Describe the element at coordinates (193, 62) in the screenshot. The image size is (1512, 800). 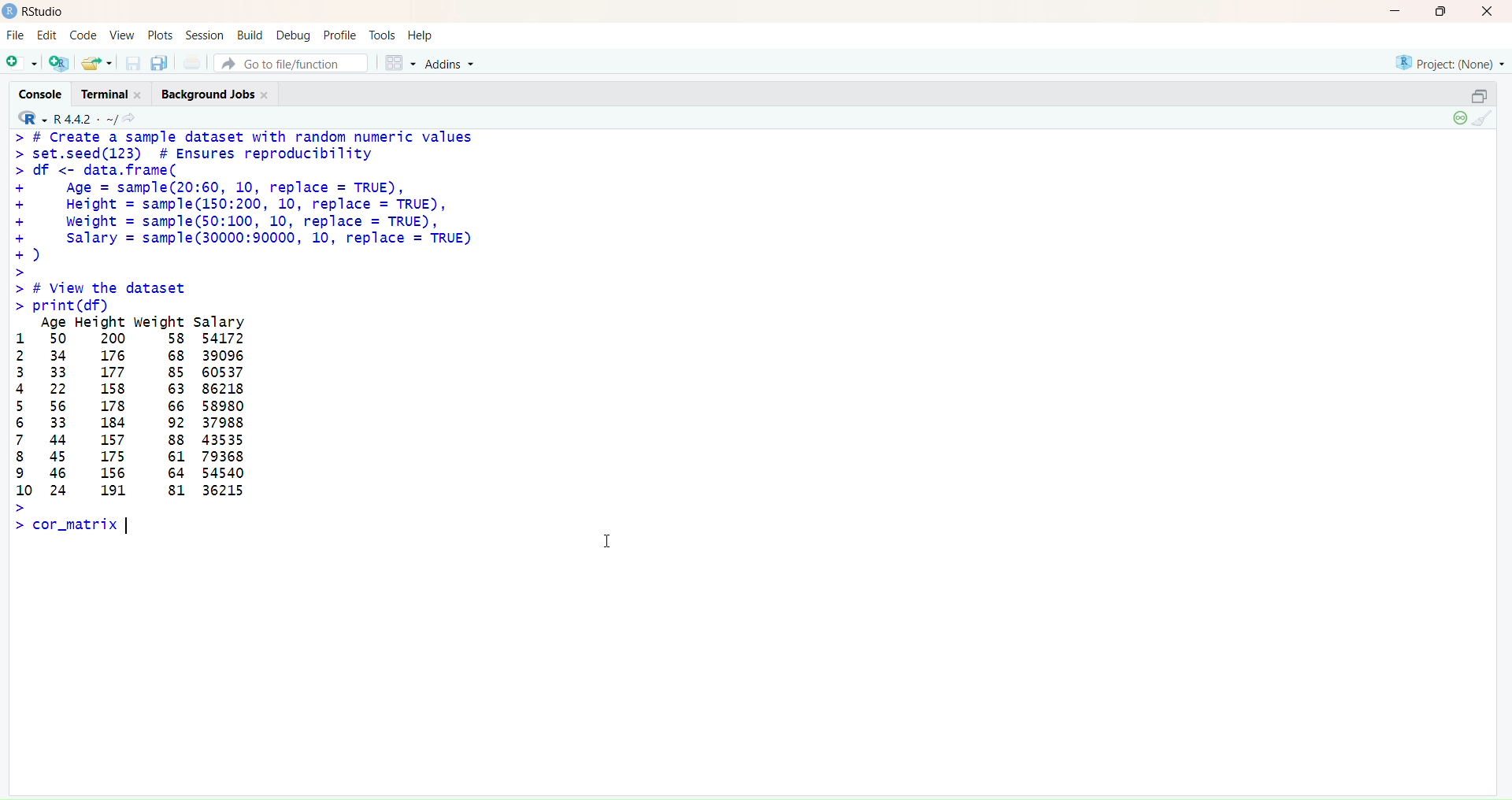
I see `Print the current file` at that location.